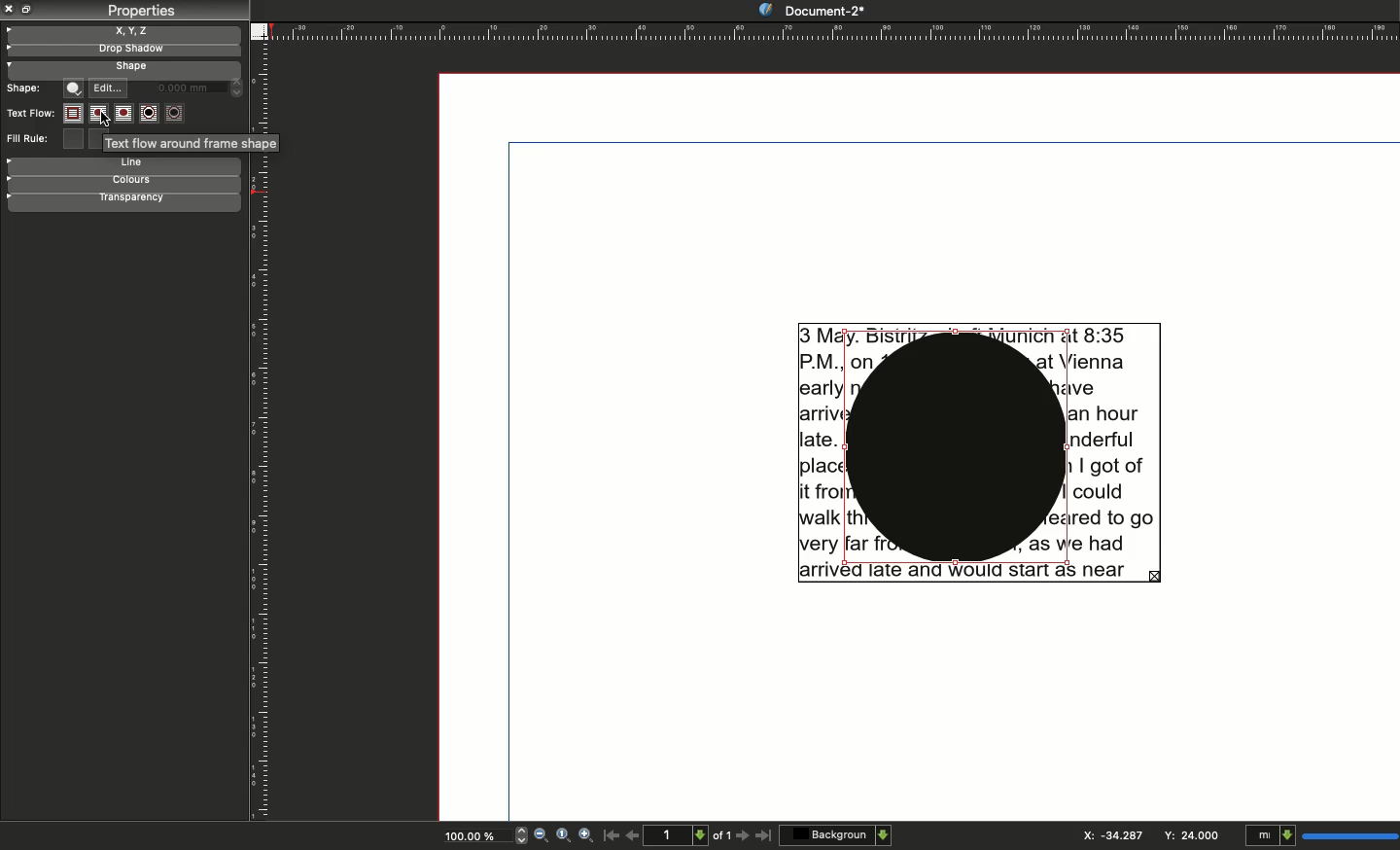  Describe the element at coordinates (31, 140) in the screenshot. I see `Fill rule` at that location.